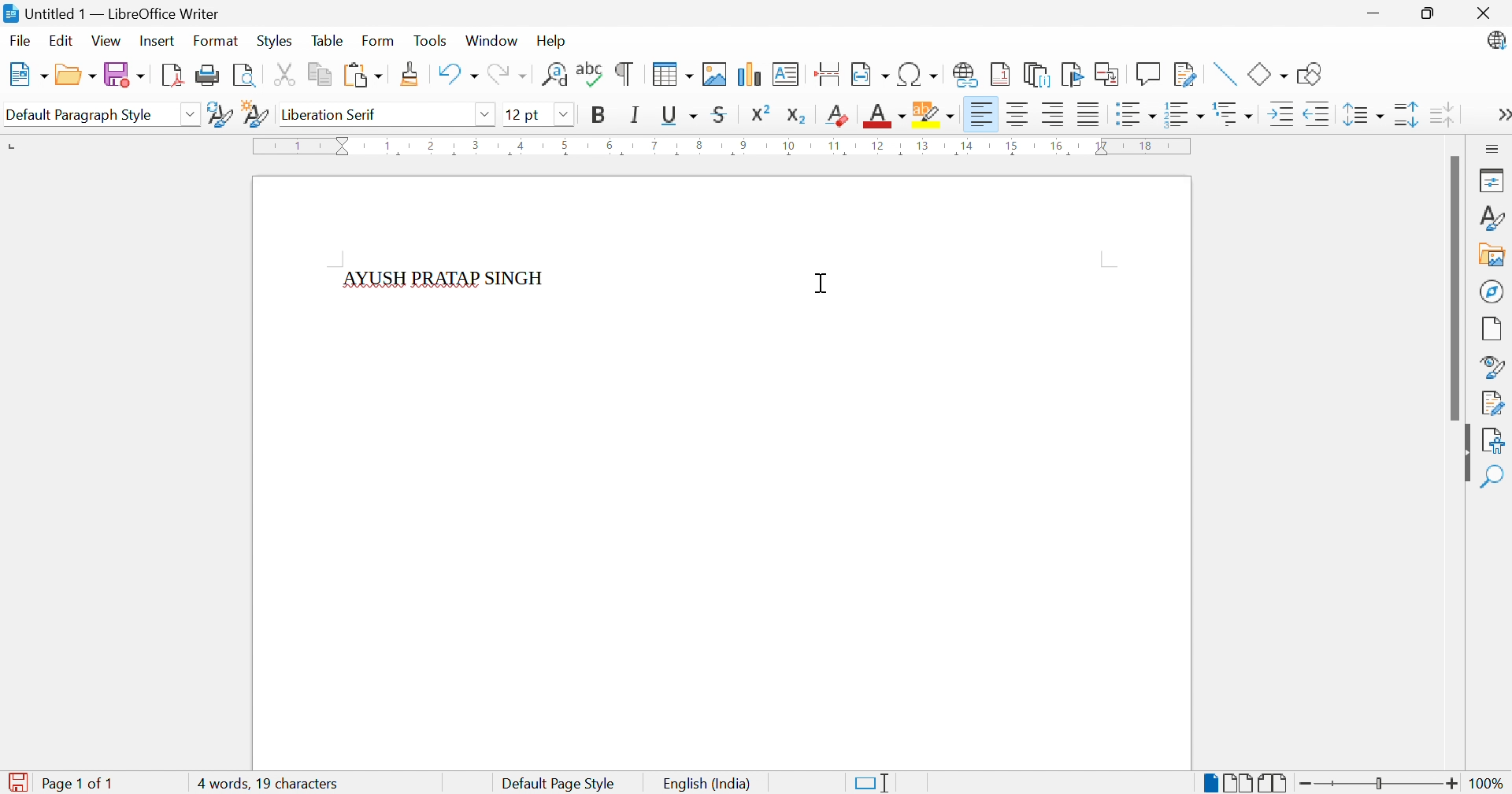 Image resolution: width=1512 pixels, height=794 pixels. Describe the element at coordinates (749, 74) in the screenshot. I see `Insert Chart` at that location.